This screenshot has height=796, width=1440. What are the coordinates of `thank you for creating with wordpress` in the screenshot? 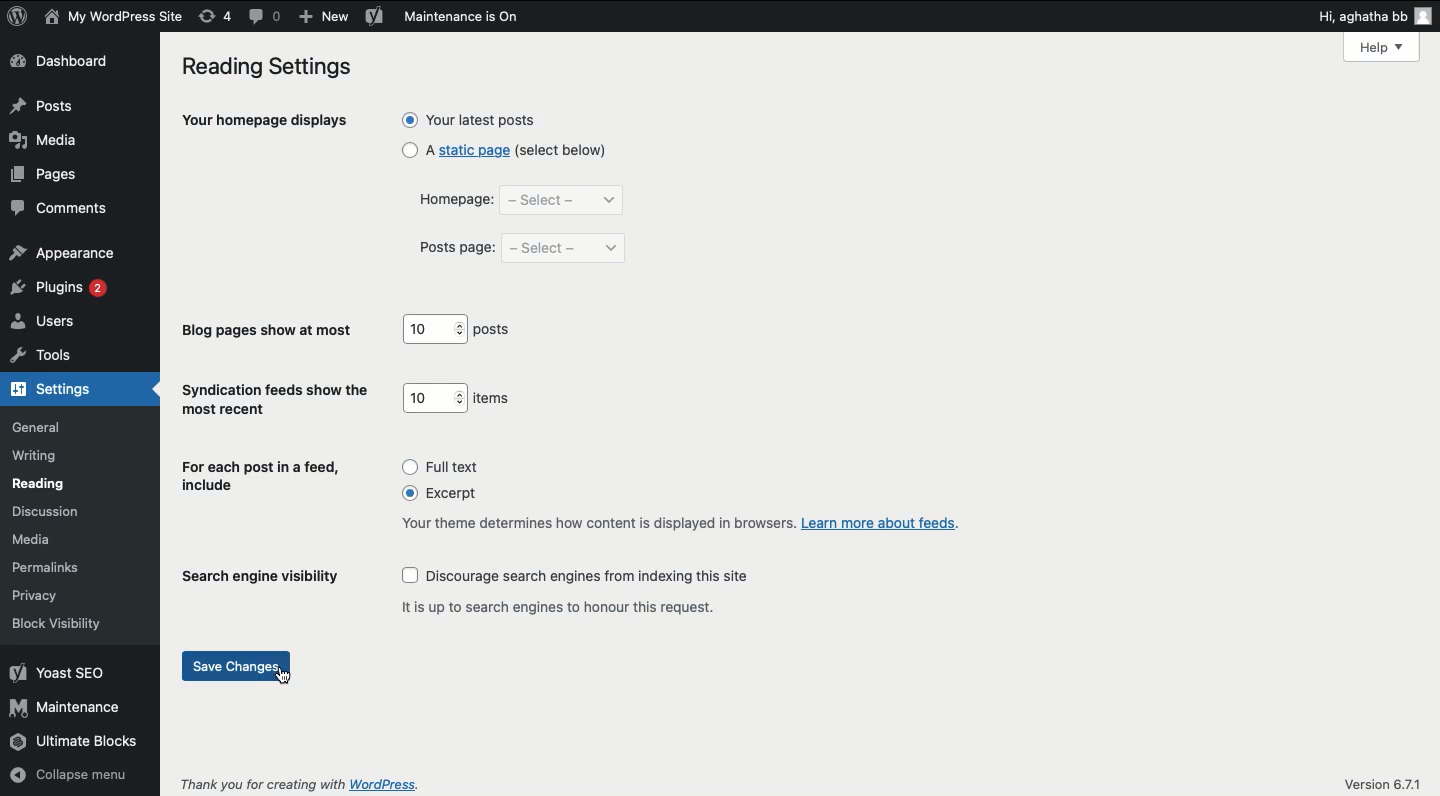 It's located at (301, 782).